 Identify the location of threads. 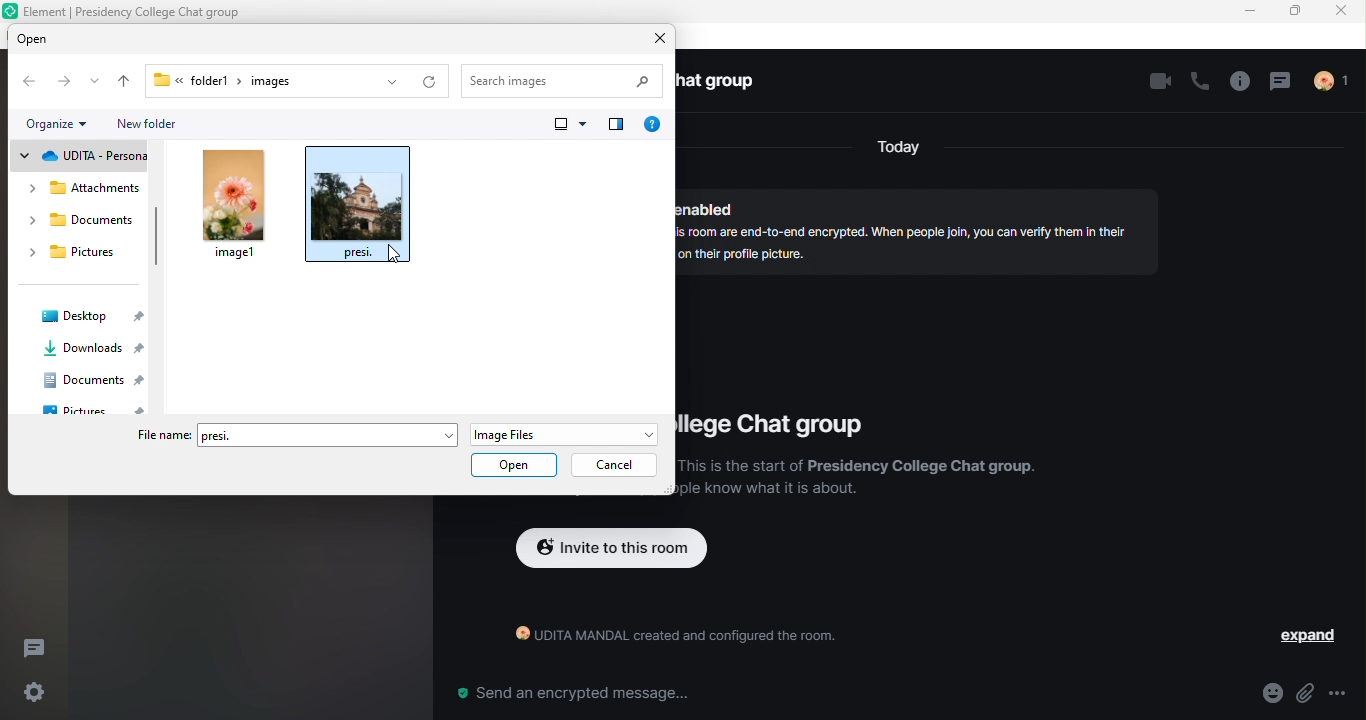
(41, 646).